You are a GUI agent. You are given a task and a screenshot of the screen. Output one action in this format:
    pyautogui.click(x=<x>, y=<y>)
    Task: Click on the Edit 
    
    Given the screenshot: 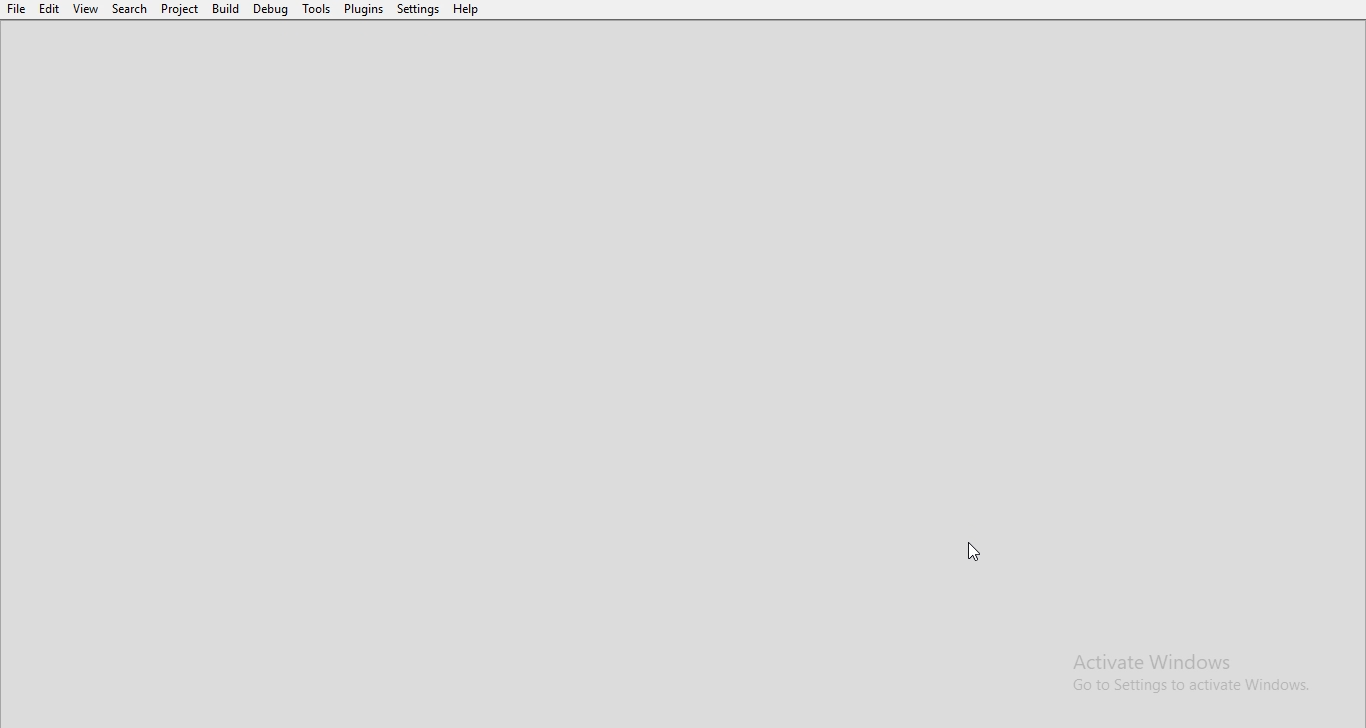 What is the action you would take?
    pyautogui.click(x=50, y=9)
    